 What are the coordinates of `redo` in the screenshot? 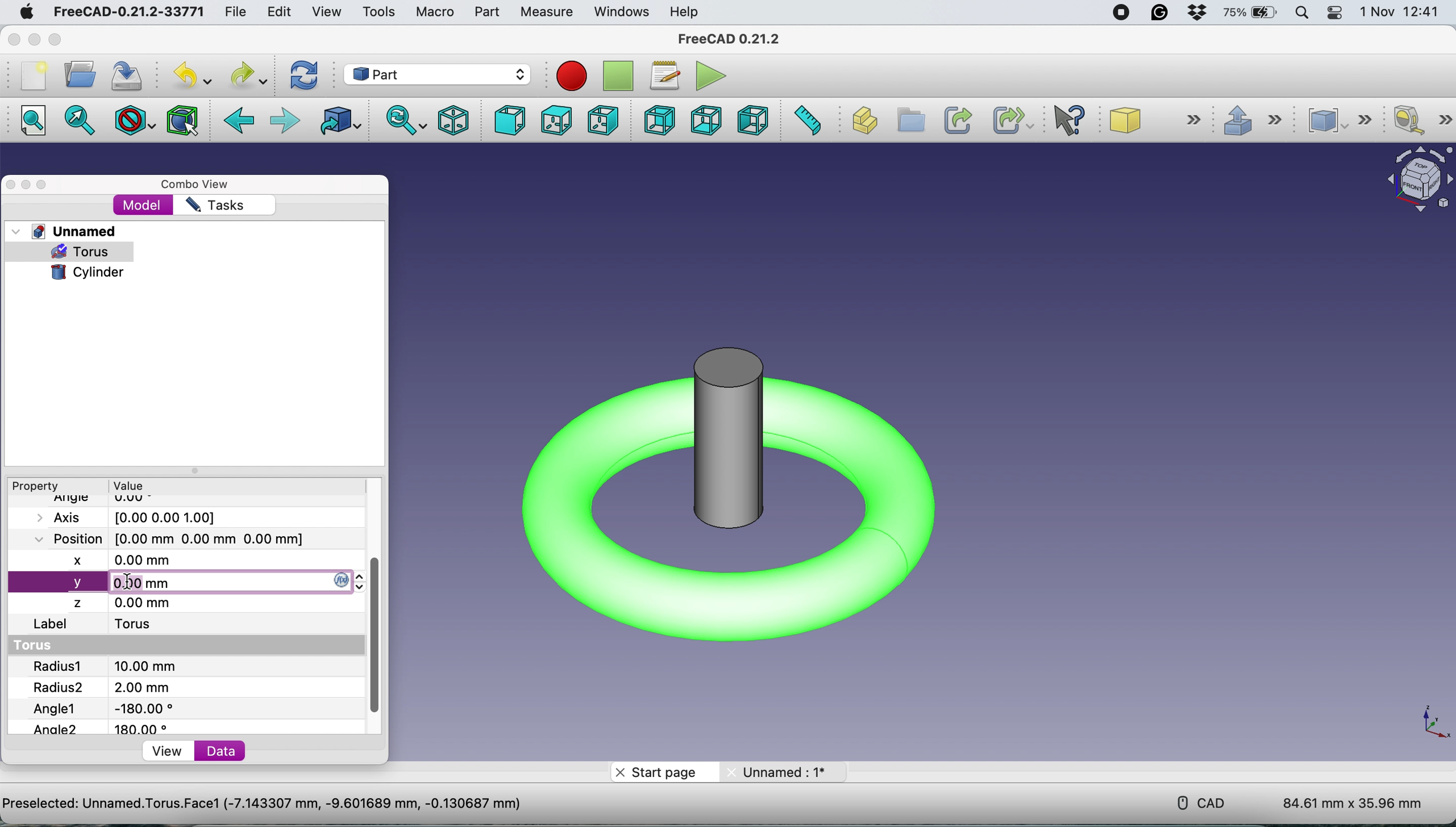 It's located at (246, 74).